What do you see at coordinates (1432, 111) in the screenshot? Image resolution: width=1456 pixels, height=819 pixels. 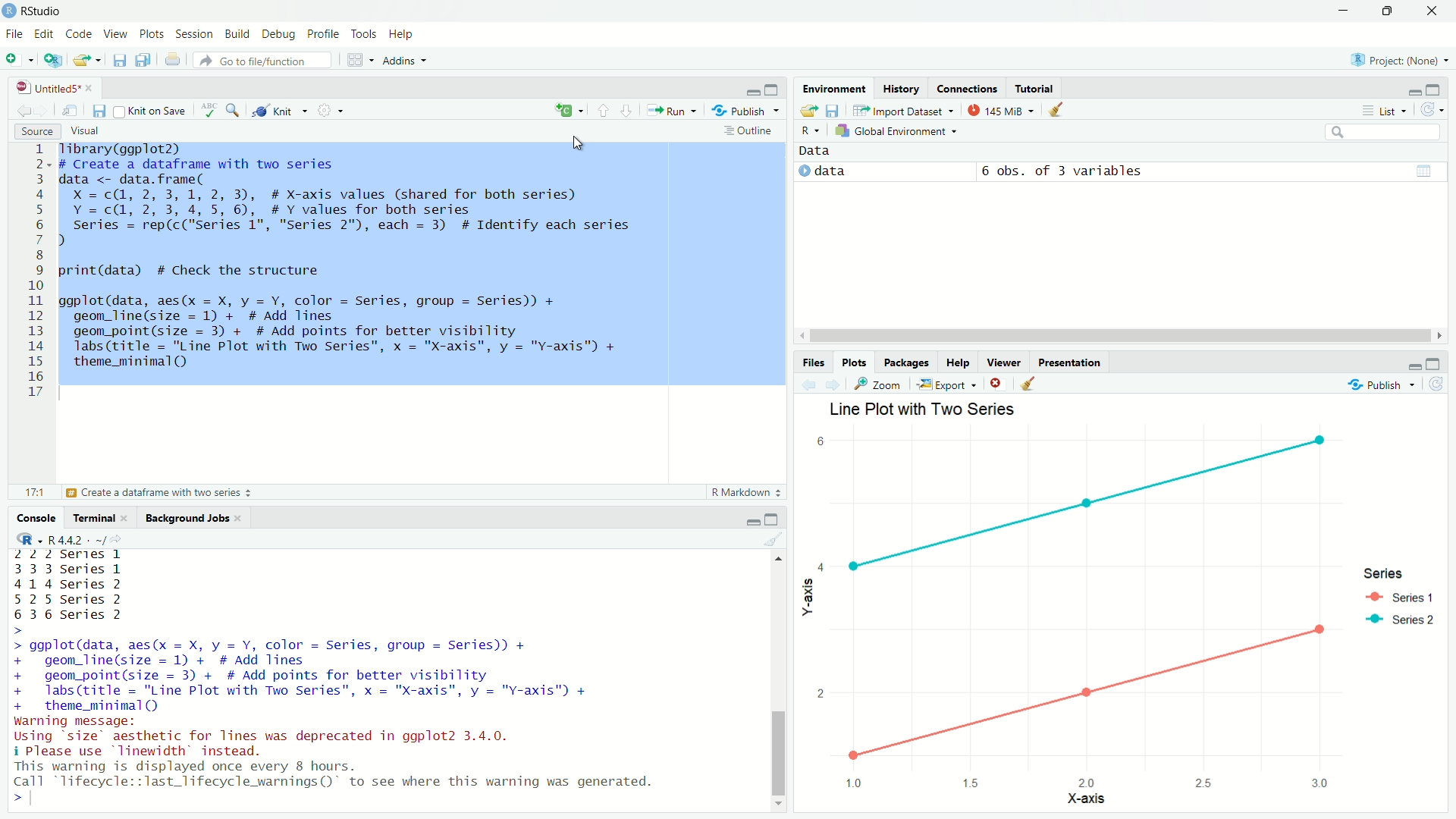 I see `Refresh the list of object in the Environment` at bounding box center [1432, 111].